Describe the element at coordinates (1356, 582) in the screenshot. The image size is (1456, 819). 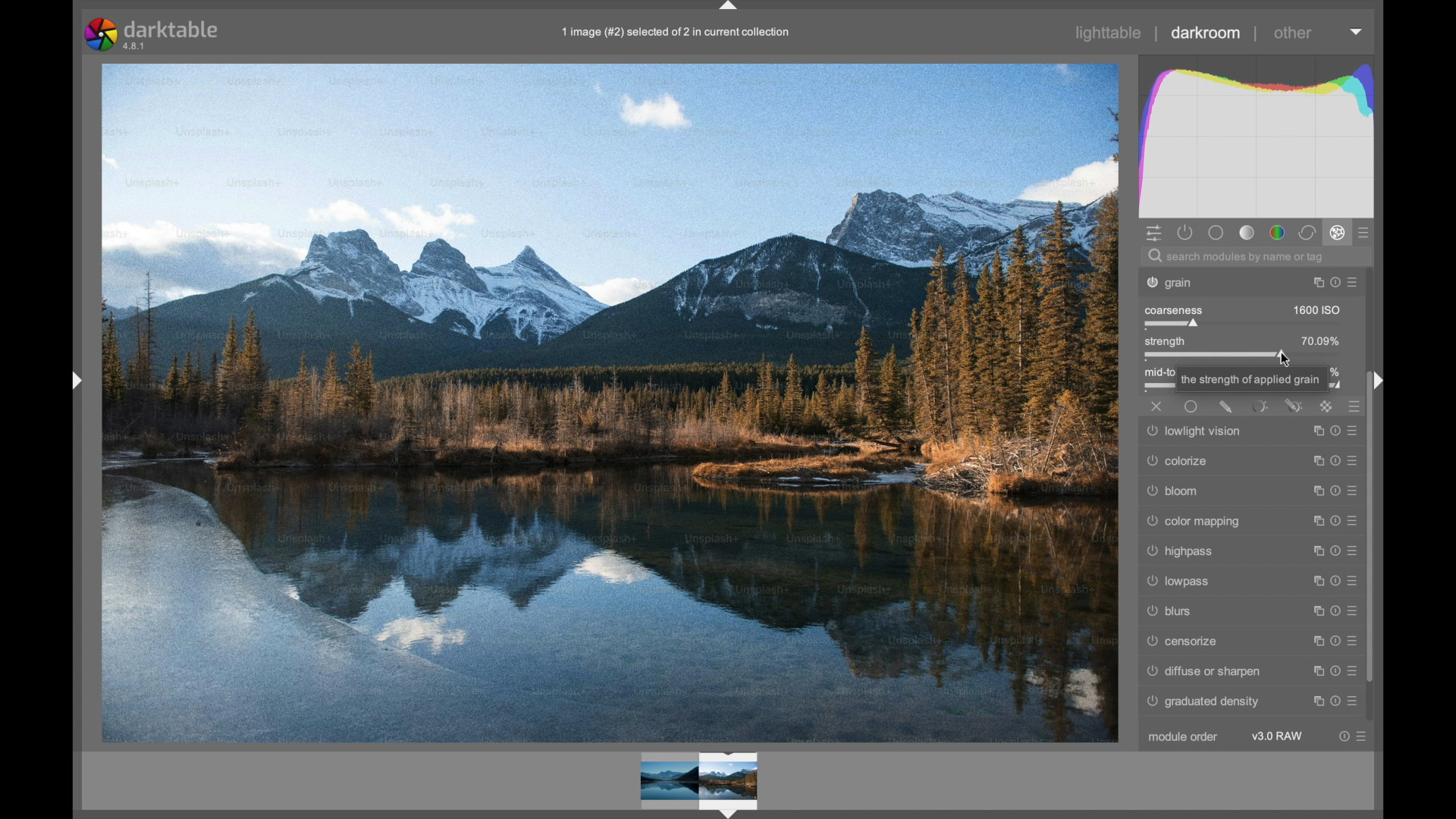
I see `presets` at that location.